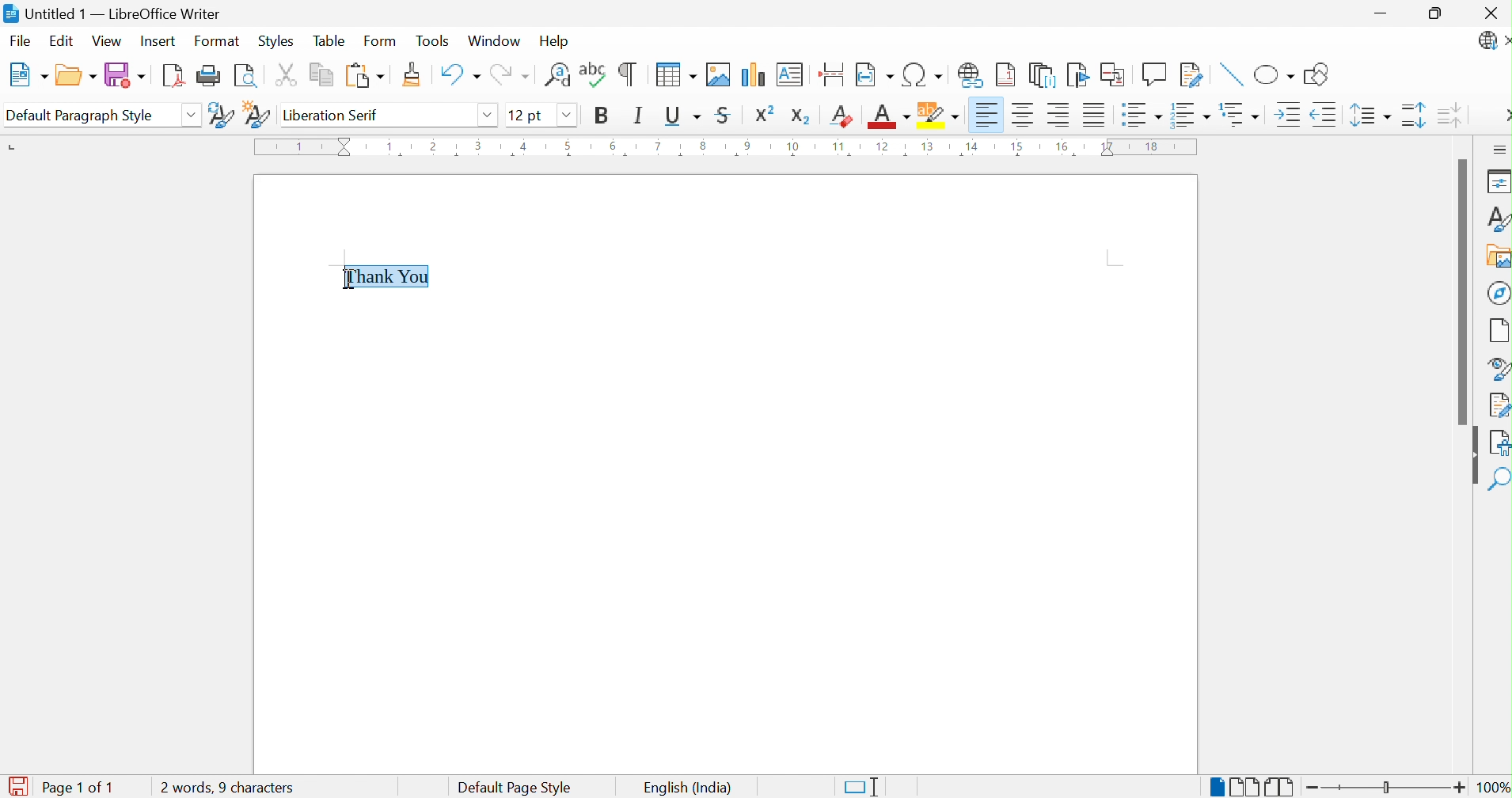 Image resolution: width=1512 pixels, height=798 pixels. I want to click on Navigator, so click(1498, 292).